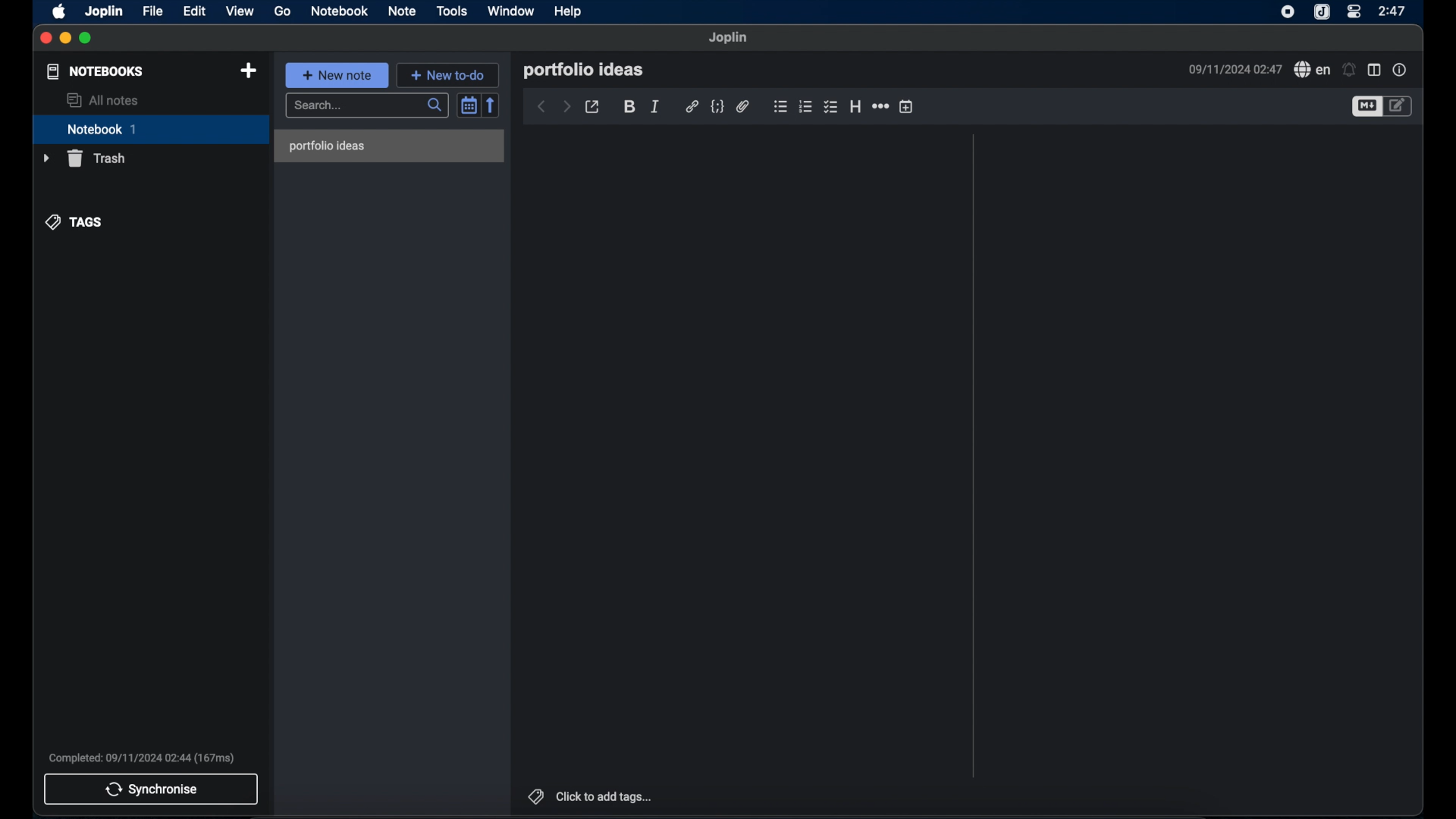 The height and width of the screenshot is (819, 1456). What do you see at coordinates (1374, 71) in the screenshot?
I see `toggle editor layout` at bounding box center [1374, 71].